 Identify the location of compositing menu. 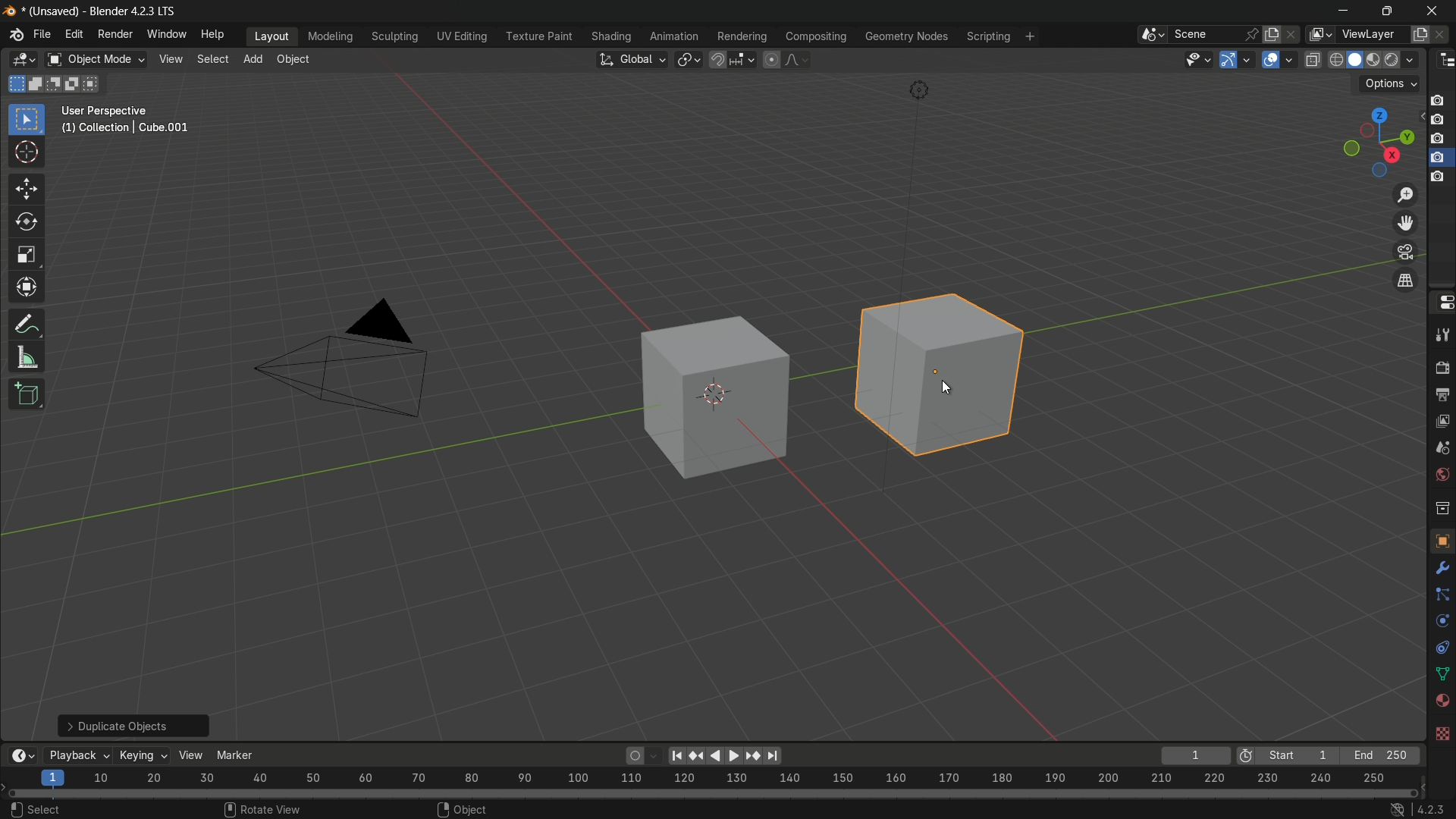
(815, 36).